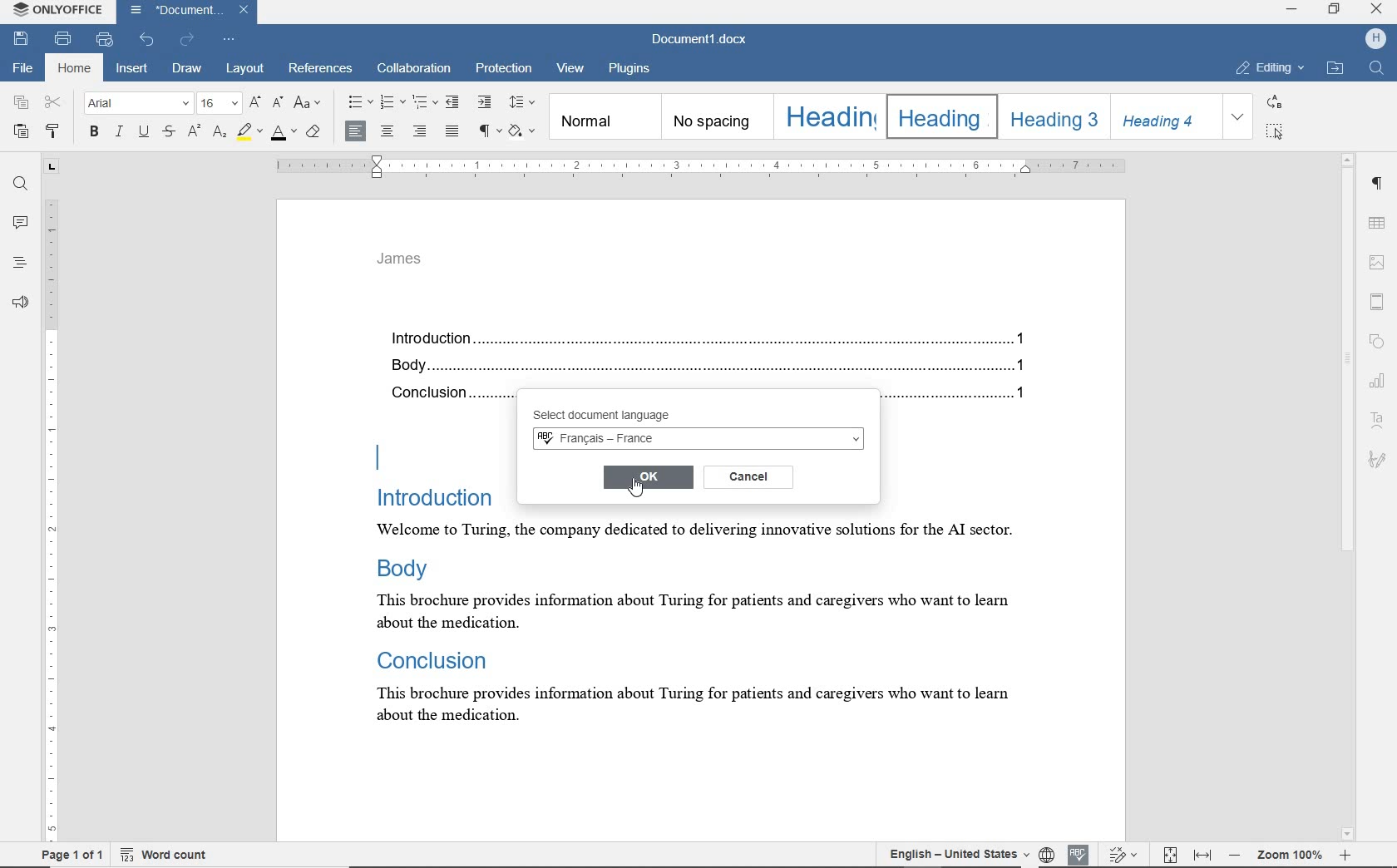 This screenshot has width=1397, height=868. I want to click on multilevel list, so click(423, 101).